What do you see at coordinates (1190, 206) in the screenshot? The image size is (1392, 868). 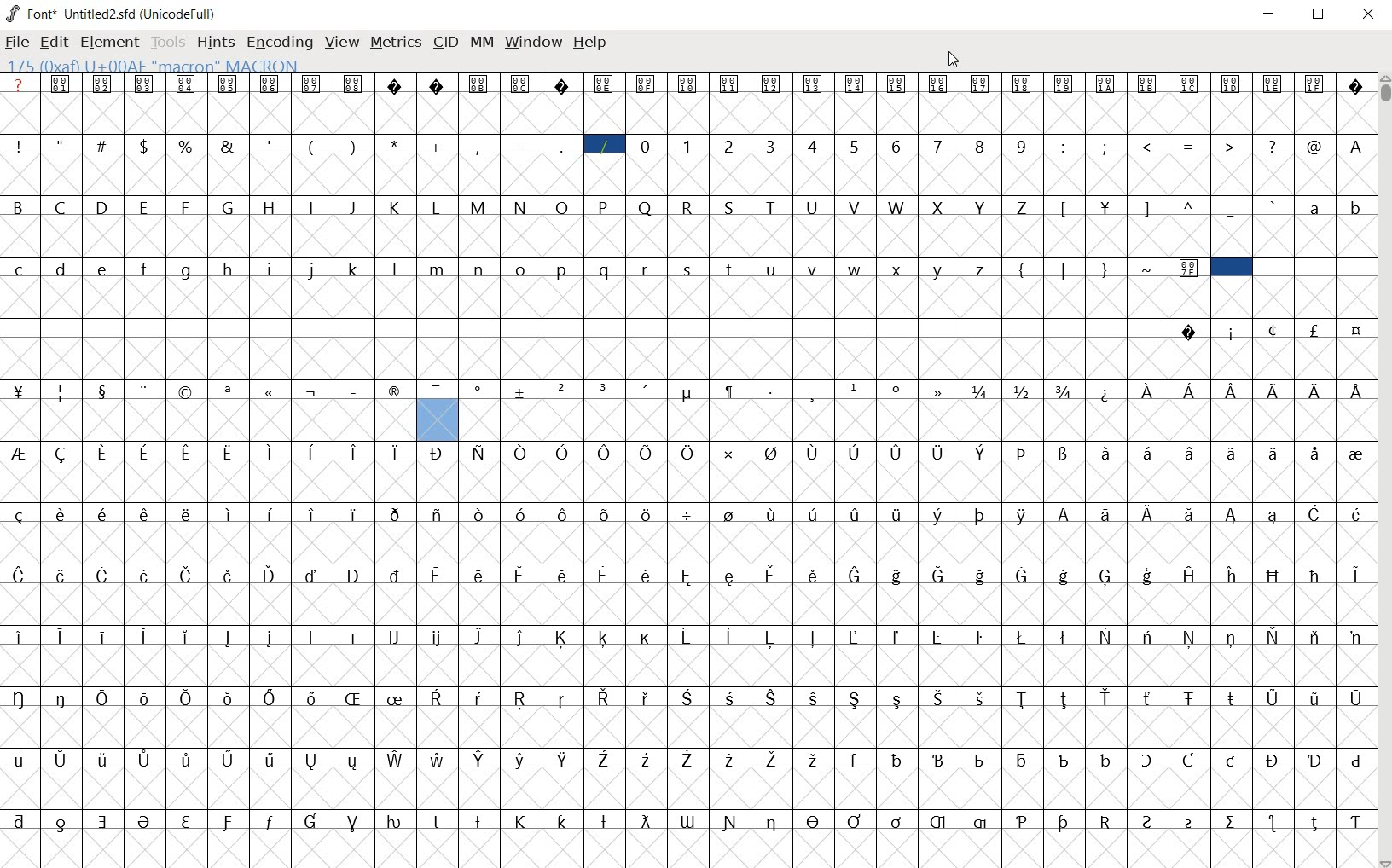 I see `^` at bounding box center [1190, 206].